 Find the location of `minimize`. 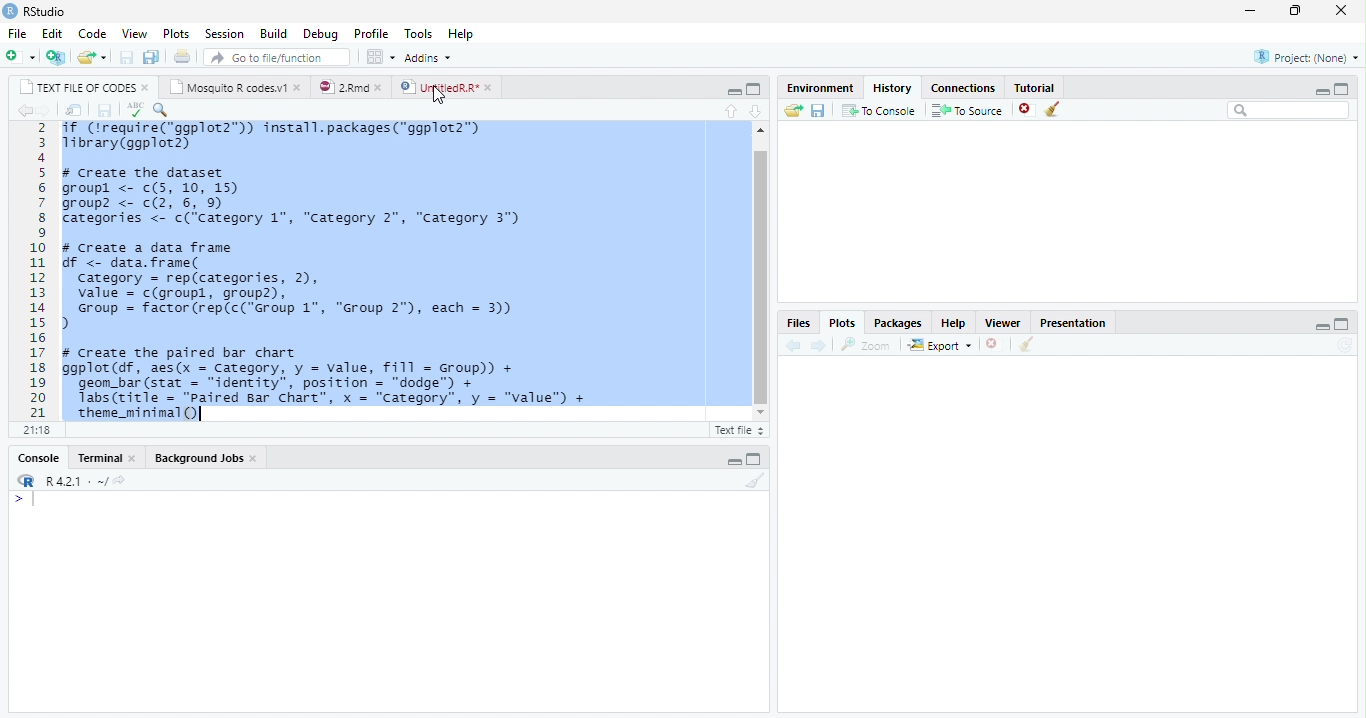

minimize is located at coordinates (1323, 89).